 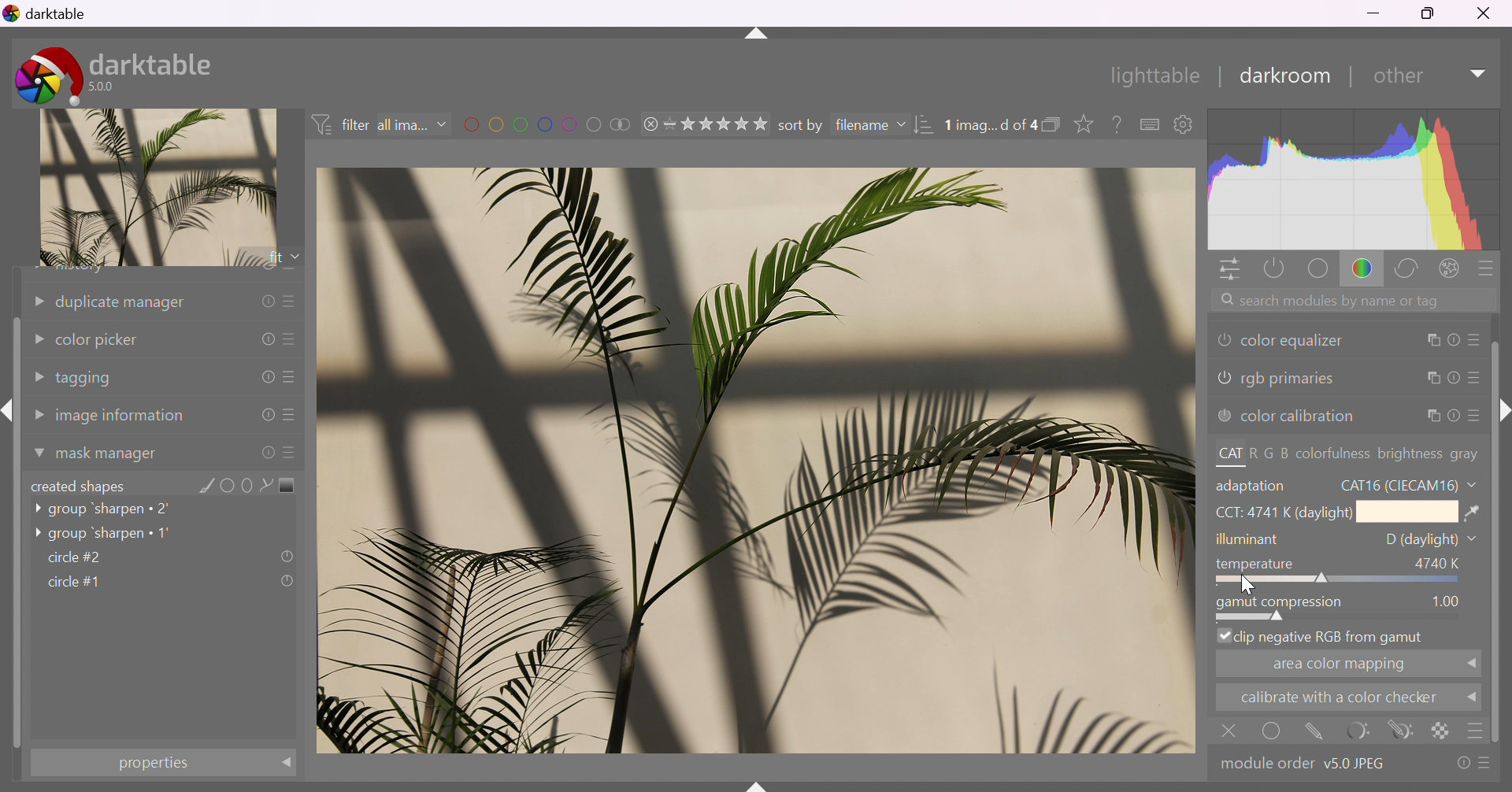 I want to click on image information, so click(x=163, y=418).